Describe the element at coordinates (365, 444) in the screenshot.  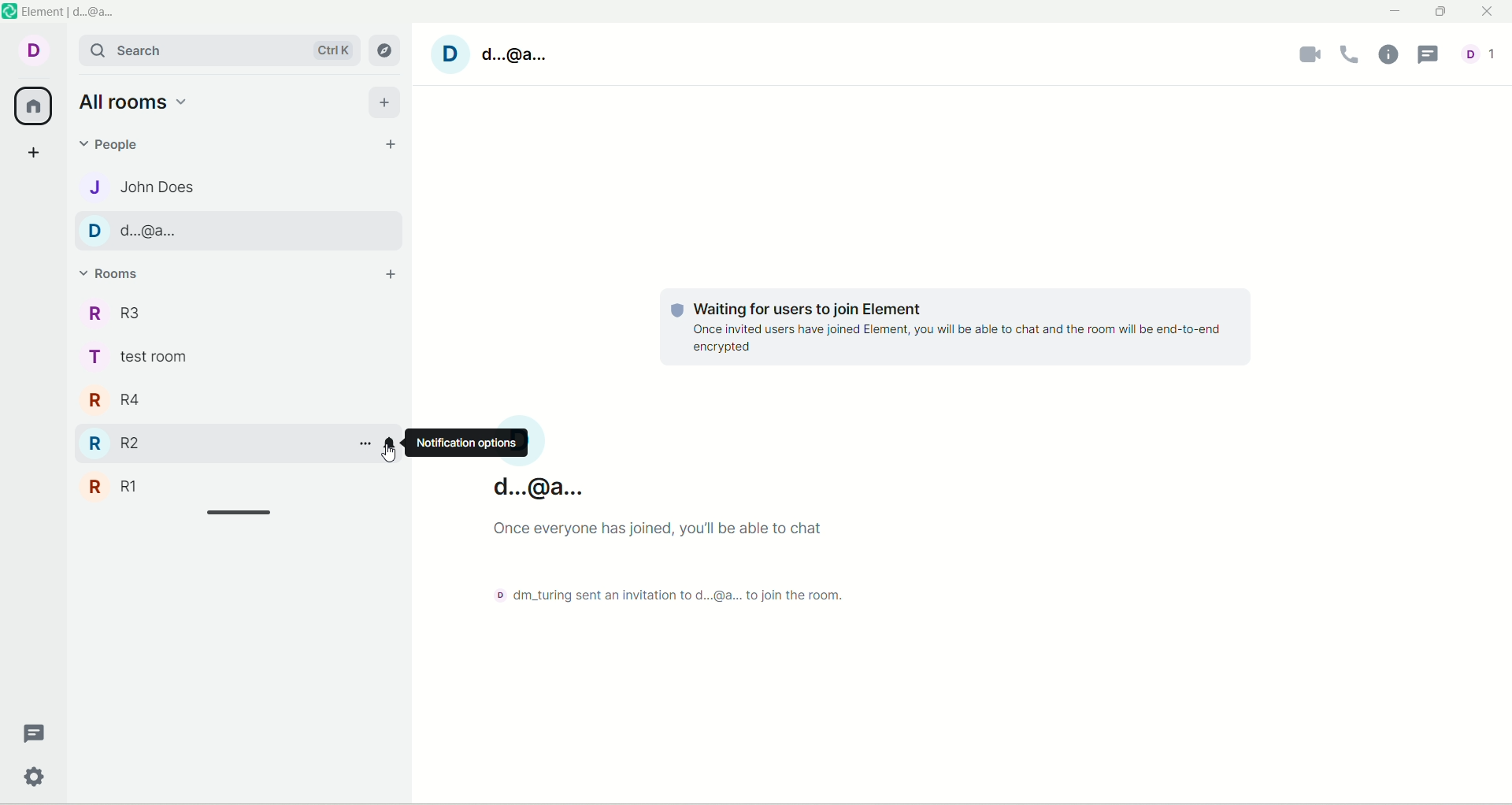
I see `room options` at that location.